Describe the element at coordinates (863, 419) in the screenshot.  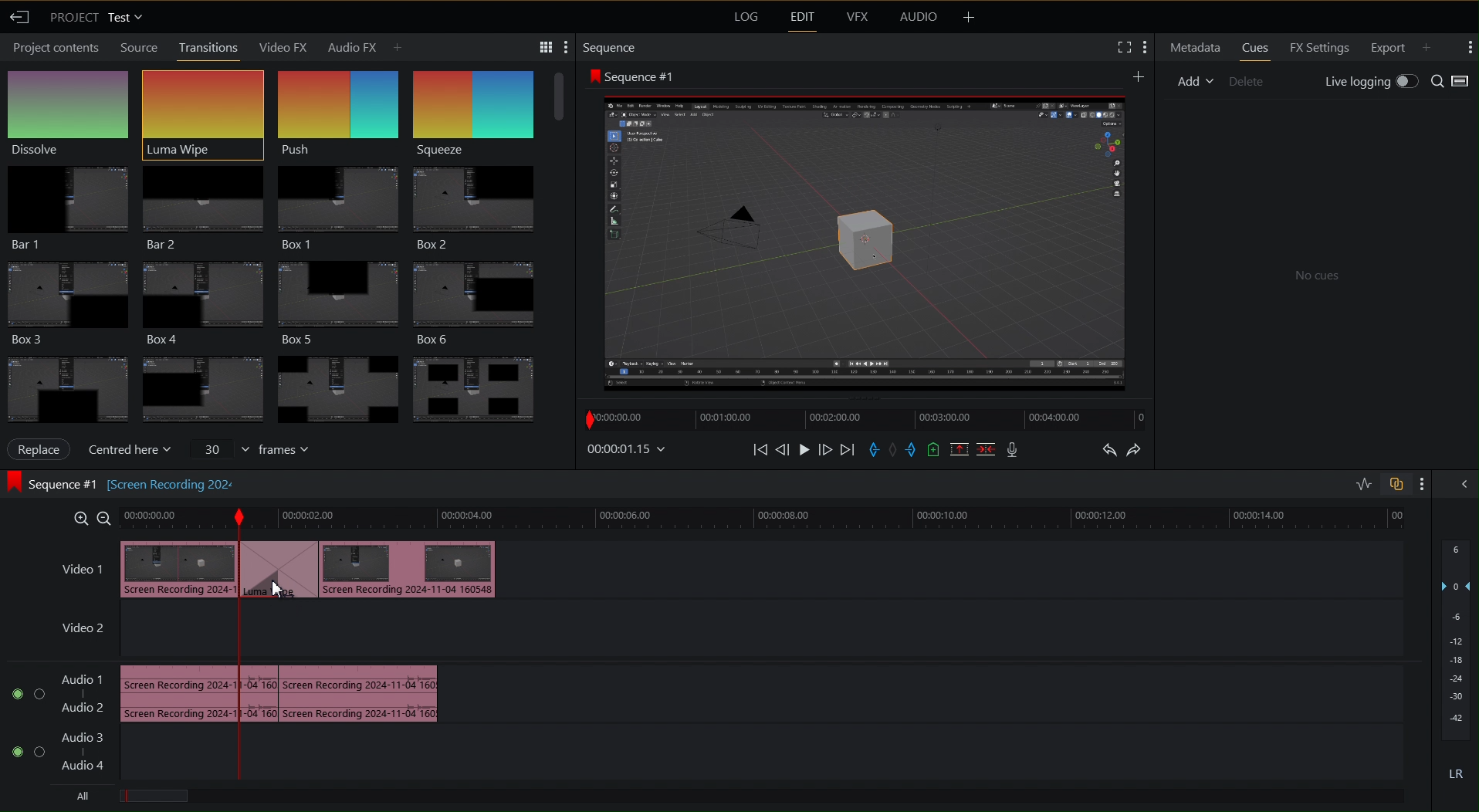
I see `Timeline` at that location.